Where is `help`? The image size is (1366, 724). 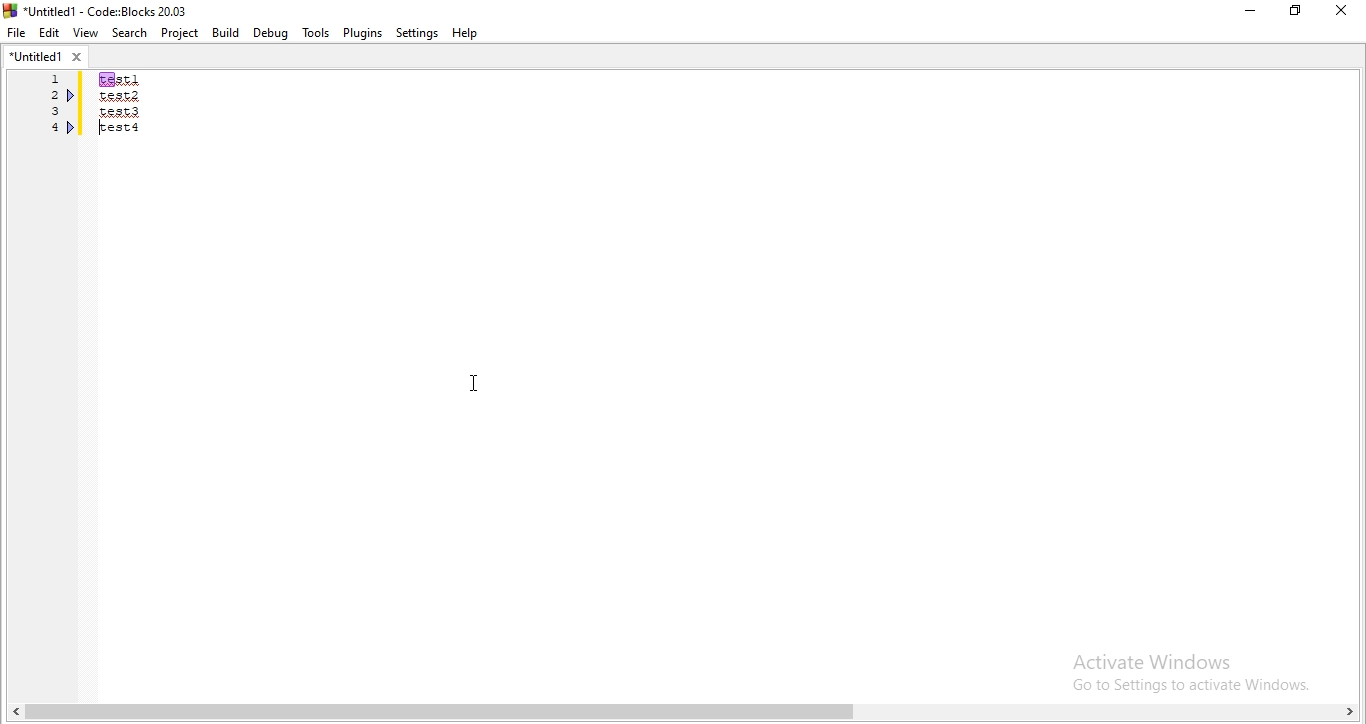
help is located at coordinates (467, 33).